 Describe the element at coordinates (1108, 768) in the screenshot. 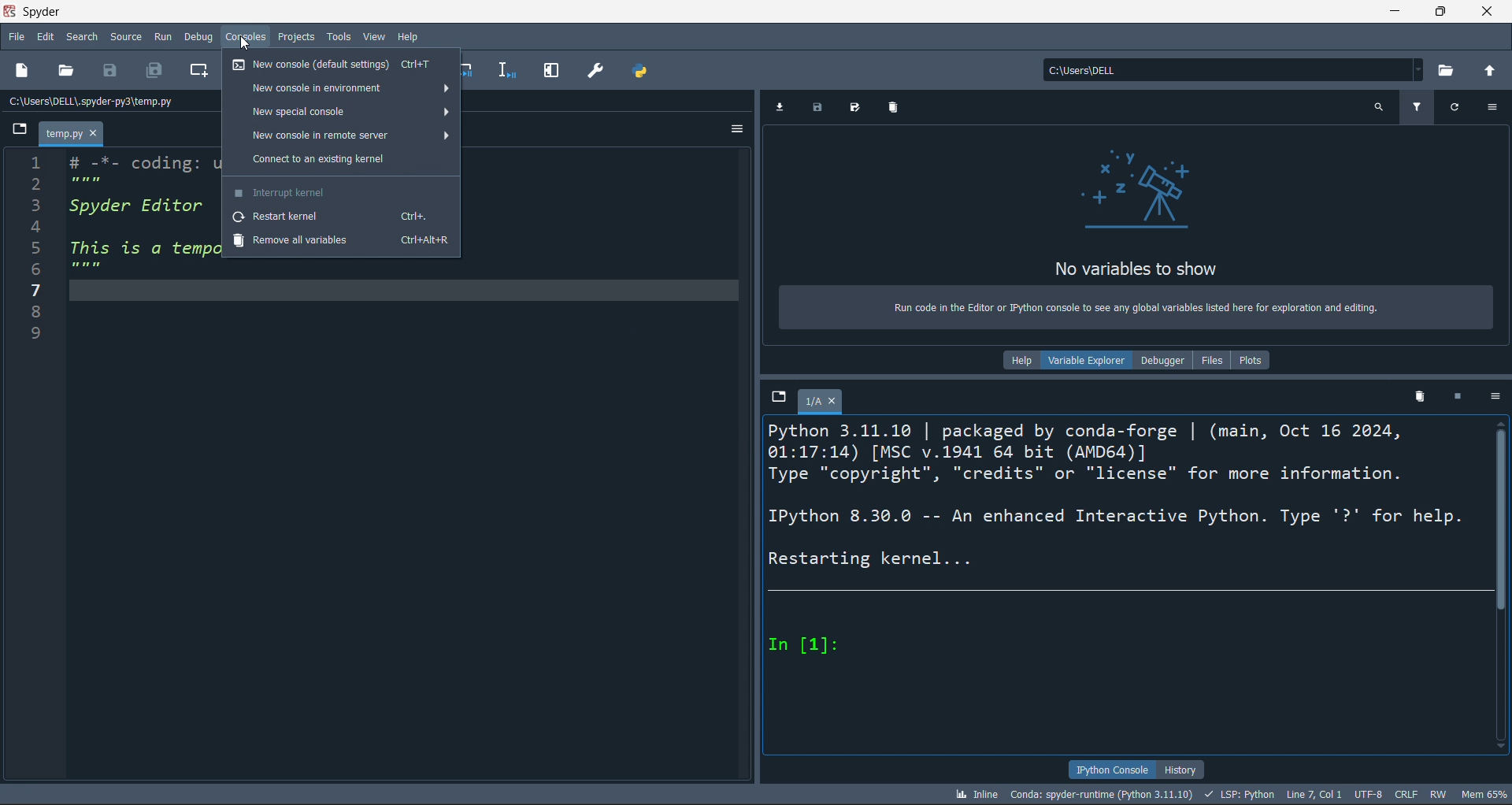

I see `ipython console` at that location.